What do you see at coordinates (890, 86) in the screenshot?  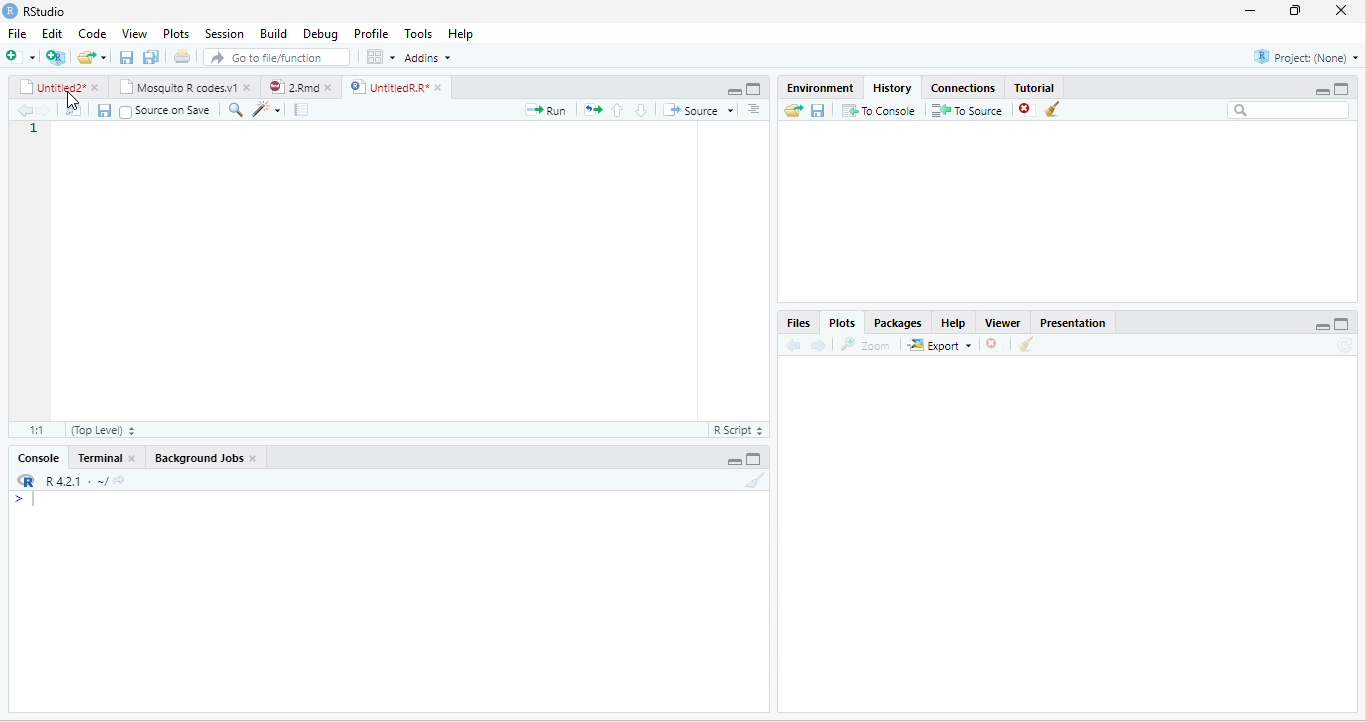 I see `history` at bounding box center [890, 86].